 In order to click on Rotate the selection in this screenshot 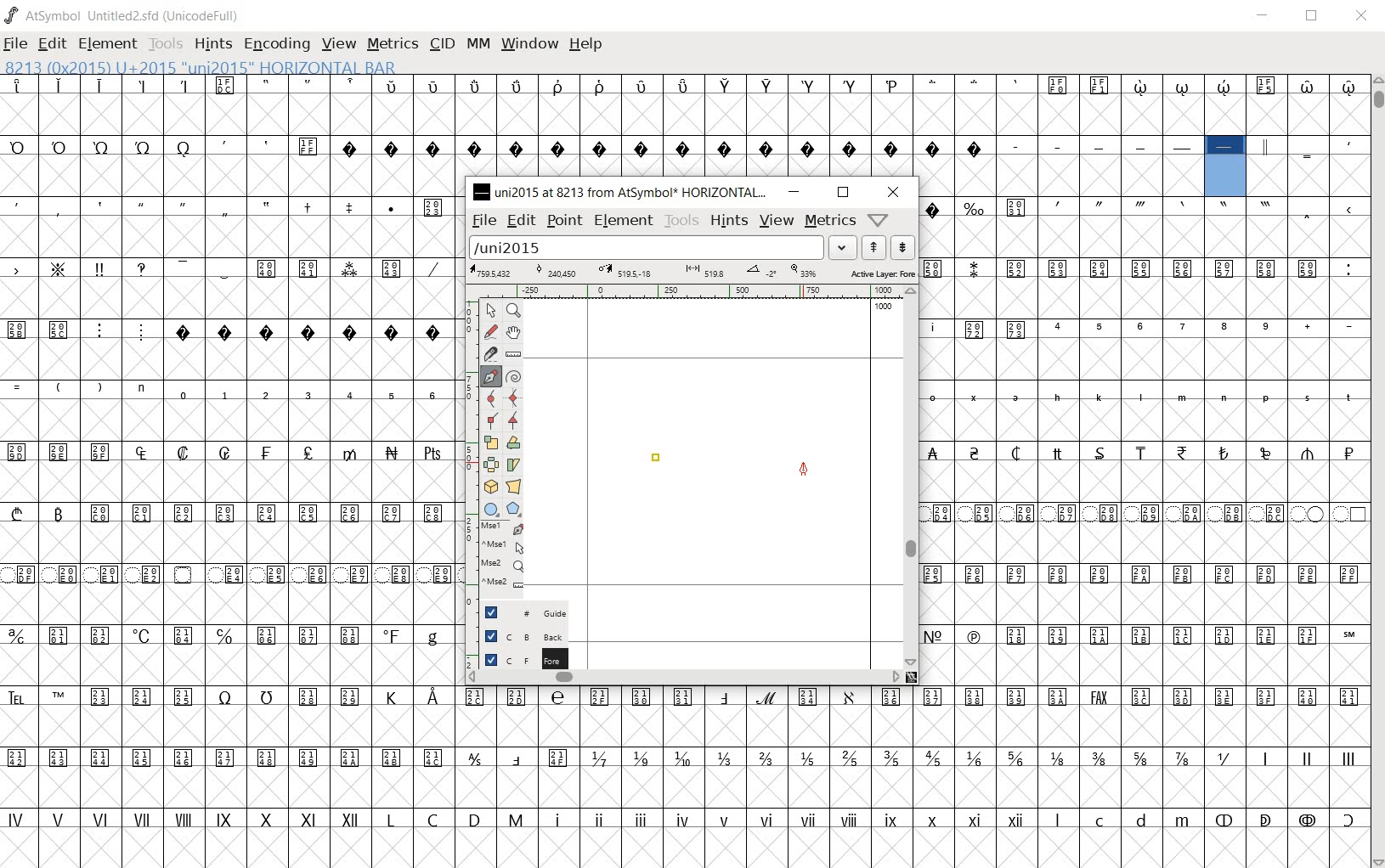, I will do `click(515, 465)`.